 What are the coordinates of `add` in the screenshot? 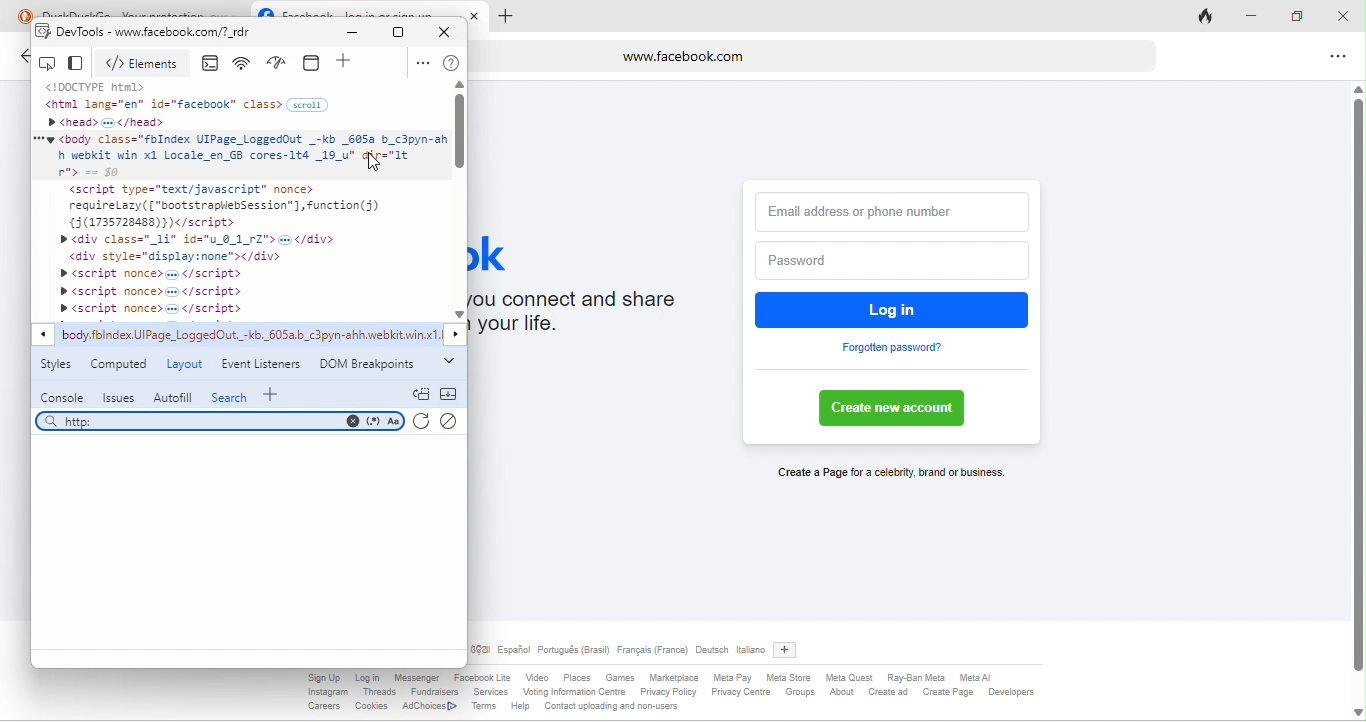 It's located at (275, 393).